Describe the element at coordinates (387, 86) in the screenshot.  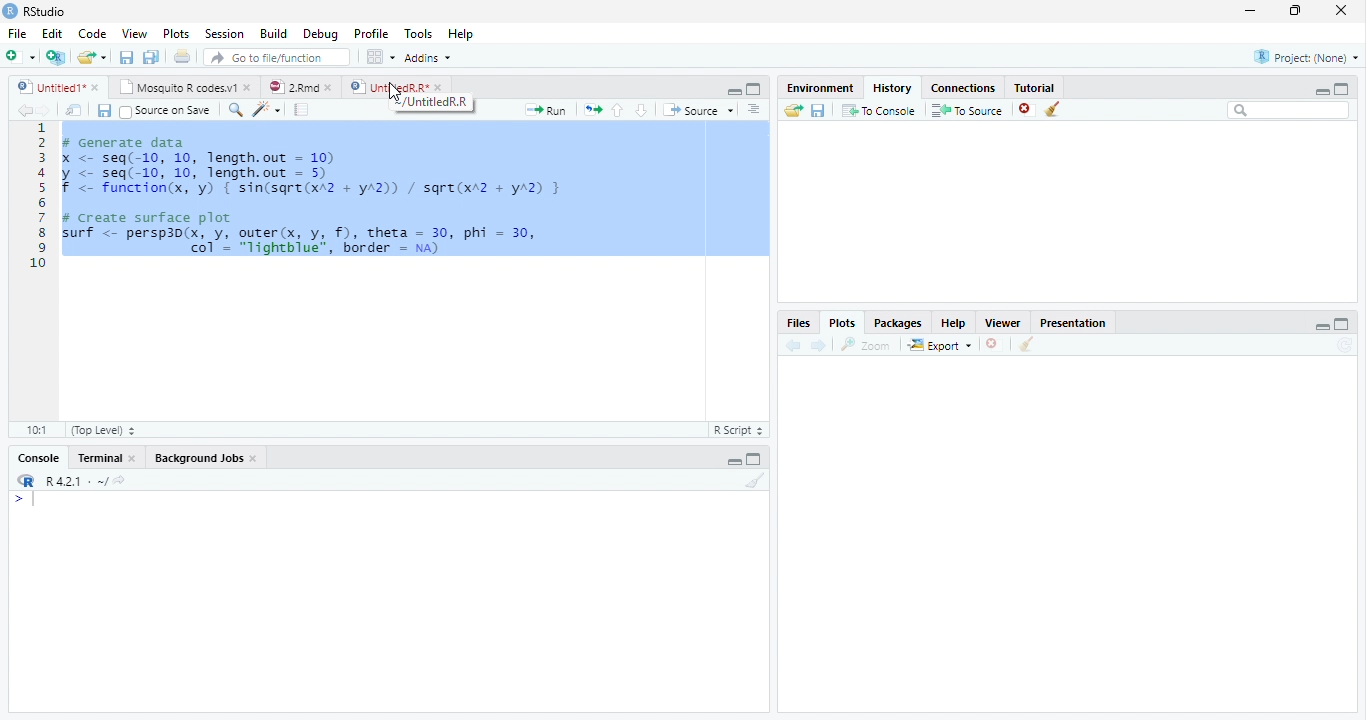
I see `UntitledR.R*` at that location.